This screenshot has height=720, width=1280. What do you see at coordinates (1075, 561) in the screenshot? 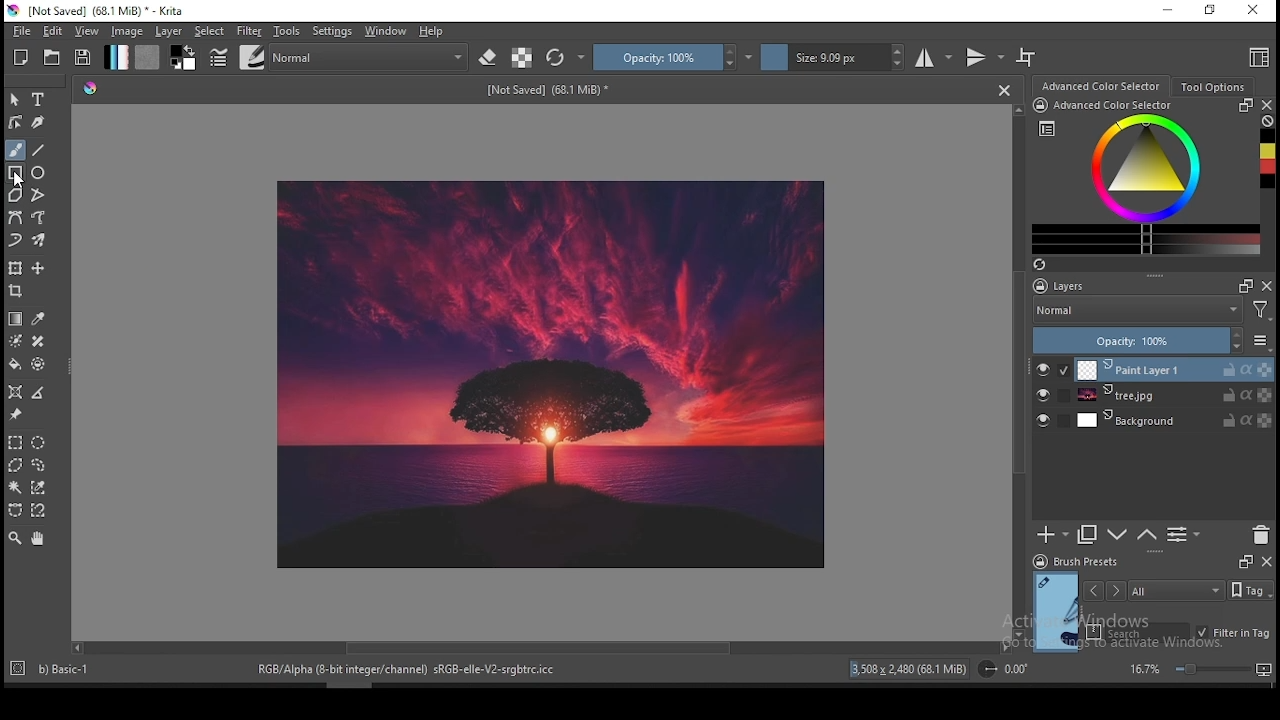
I see `brush preset` at bounding box center [1075, 561].